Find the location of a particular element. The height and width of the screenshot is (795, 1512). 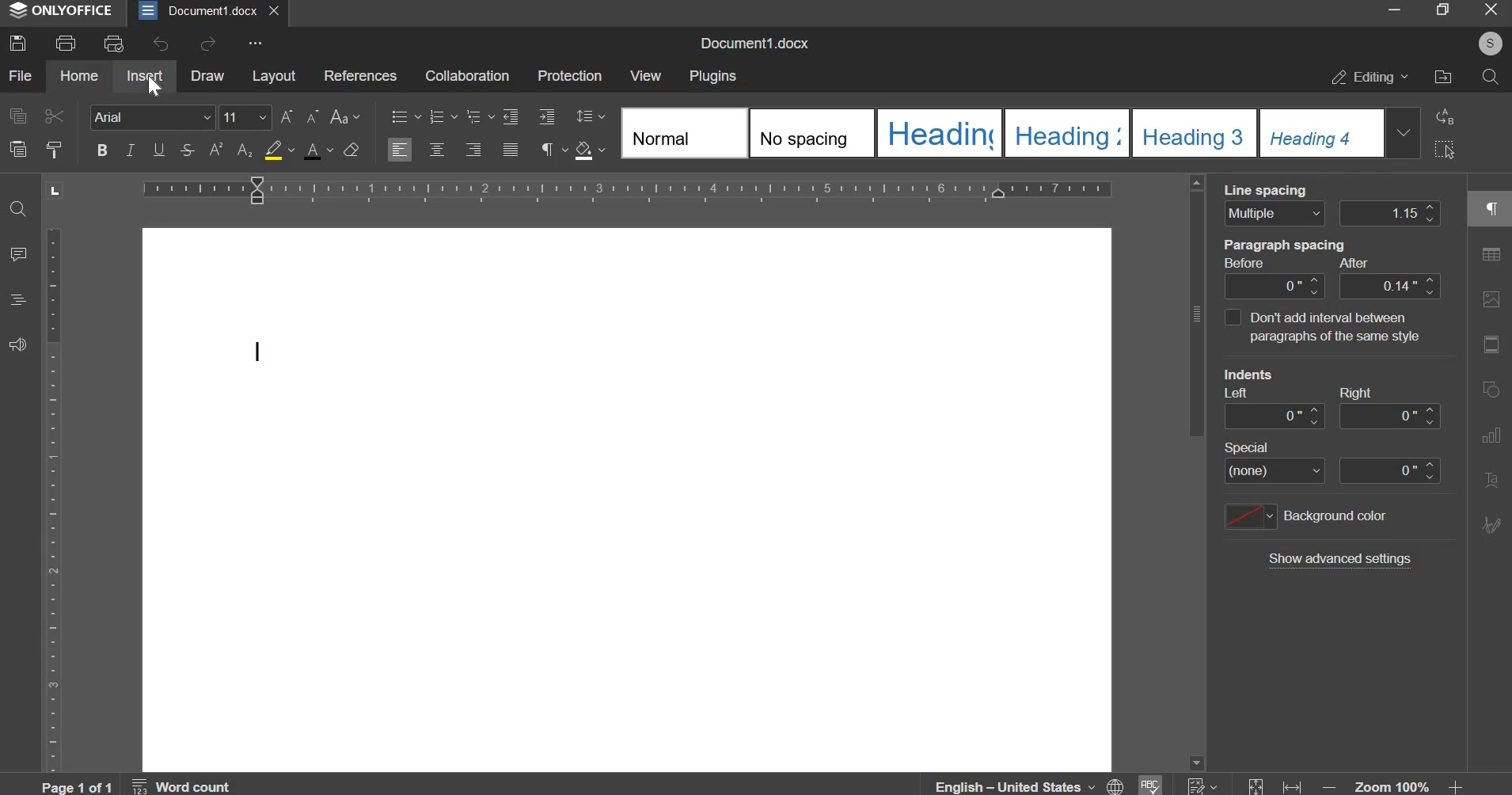

font size change is located at coordinates (268, 116).